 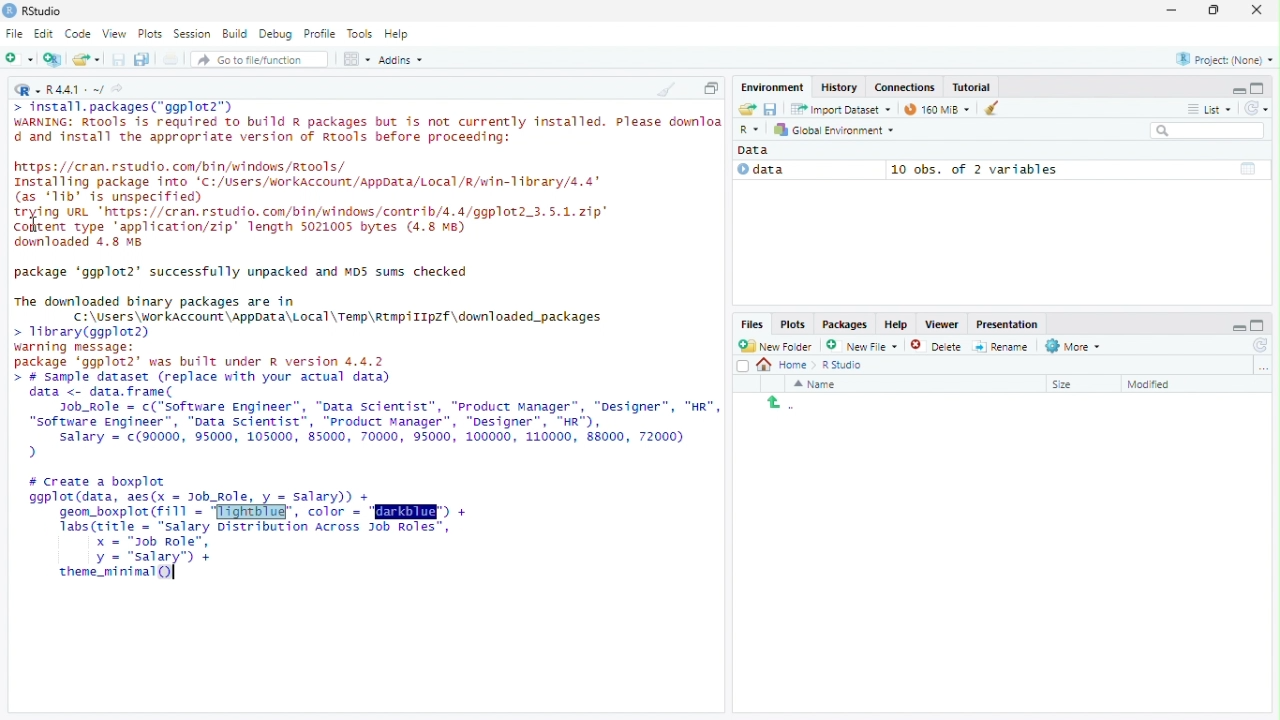 What do you see at coordinates (323, 34) in the screenshot?
I see `Profile` at bounding box center [323, 34].